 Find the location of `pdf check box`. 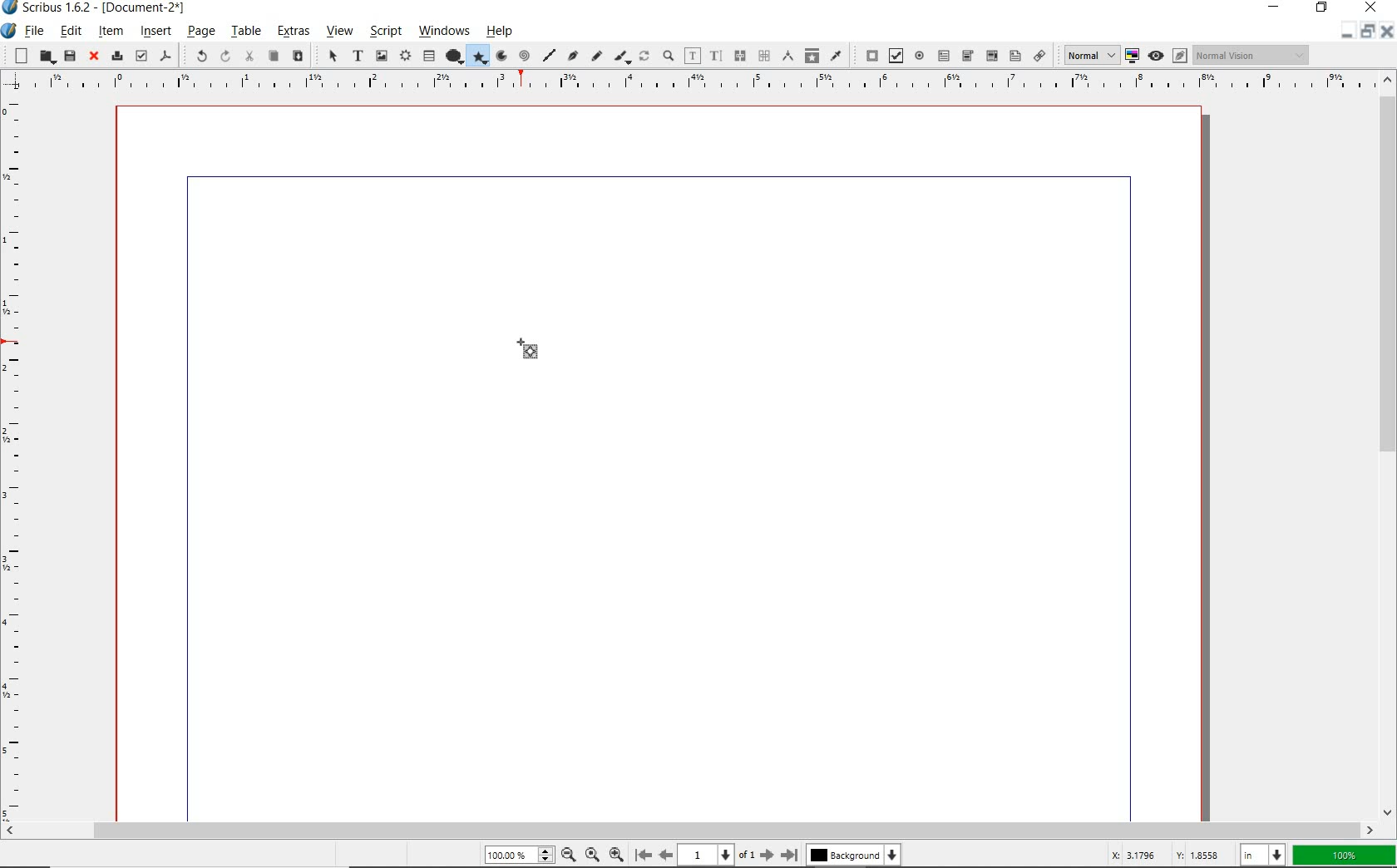

pdf check box is located at coordinates (894, 57).